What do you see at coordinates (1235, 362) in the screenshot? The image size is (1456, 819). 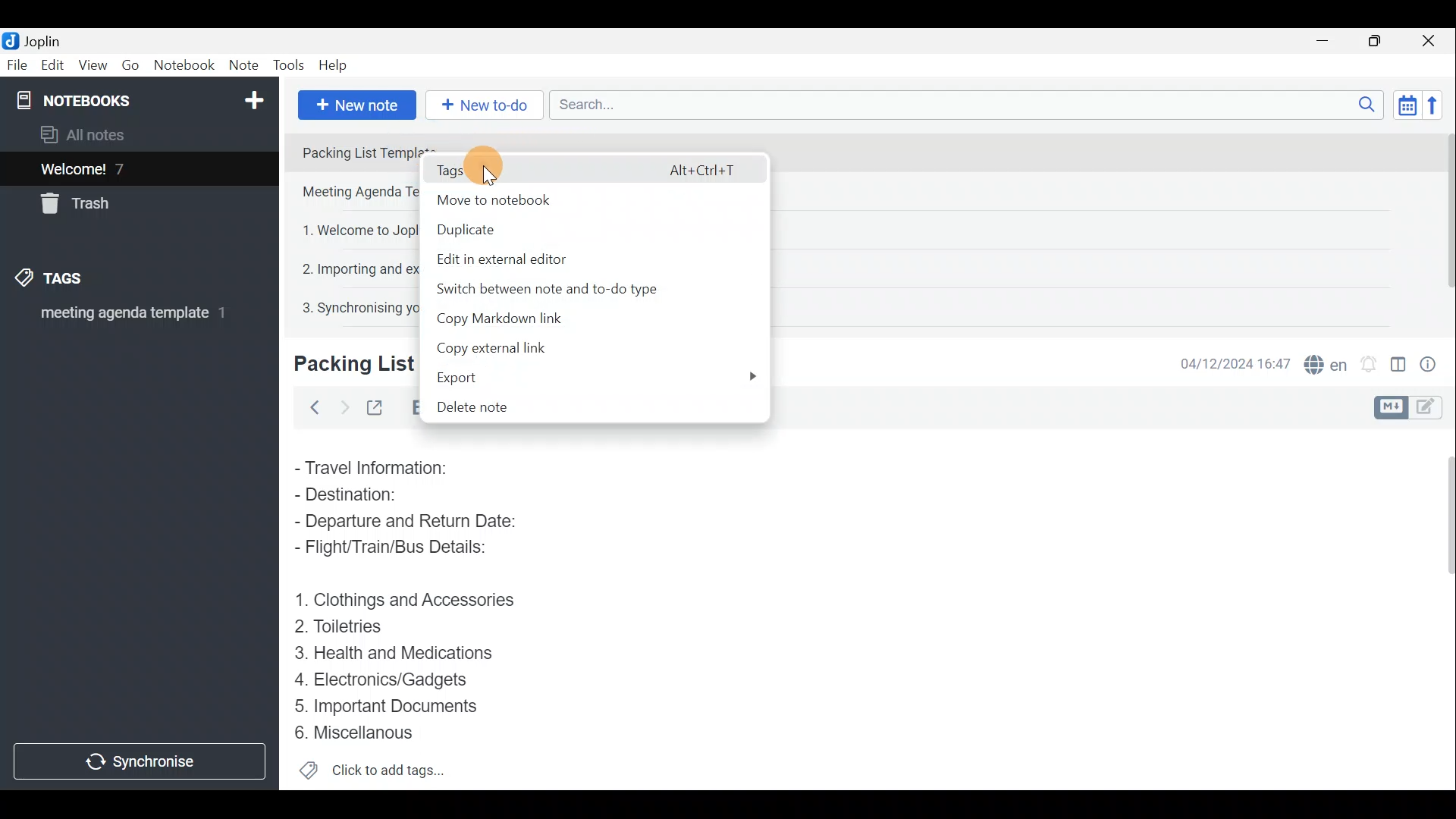 I see `Date & time` at bounding box center [1235, 362].